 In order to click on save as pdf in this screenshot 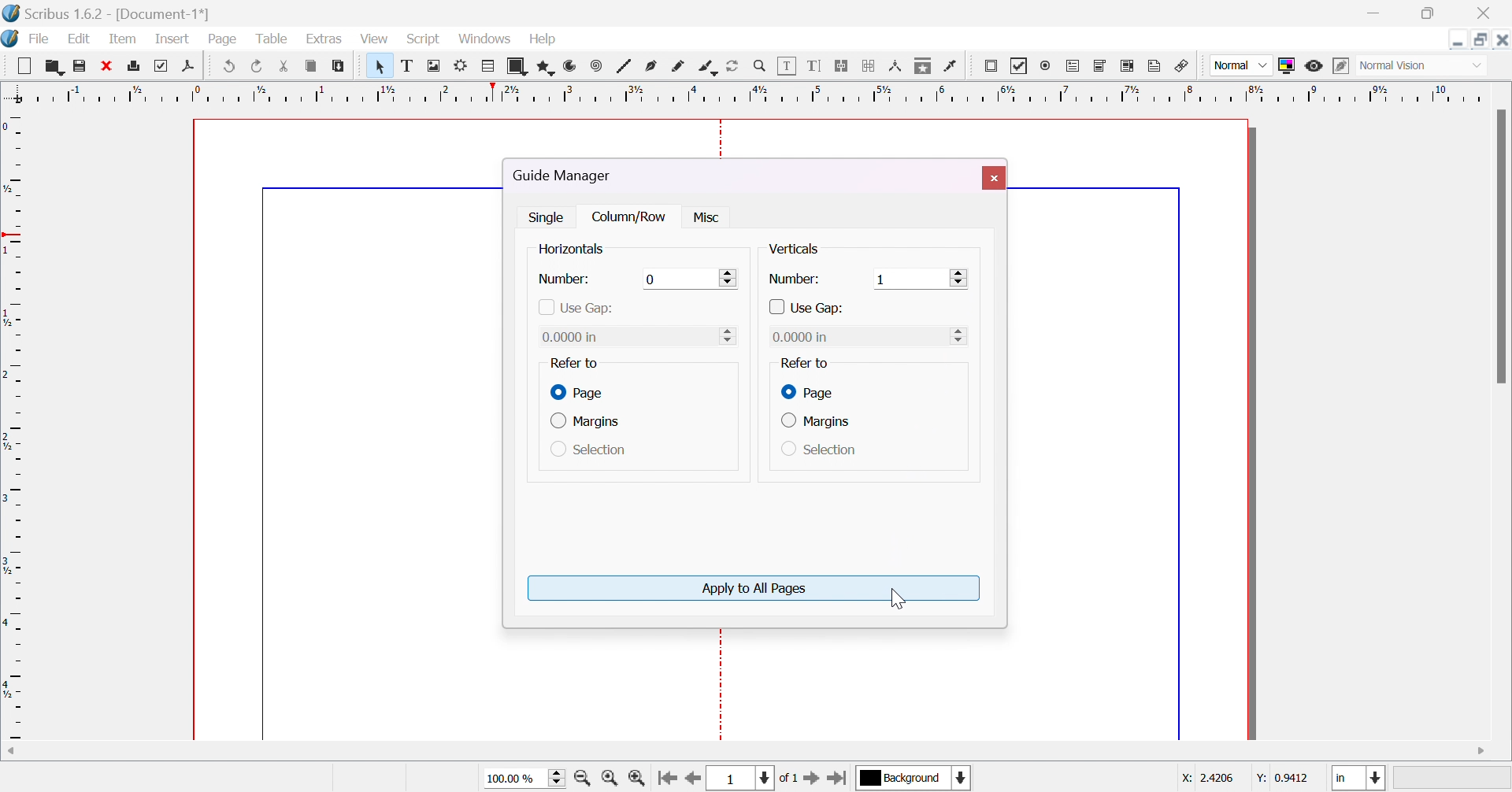, I will do `click(194, 65)`.